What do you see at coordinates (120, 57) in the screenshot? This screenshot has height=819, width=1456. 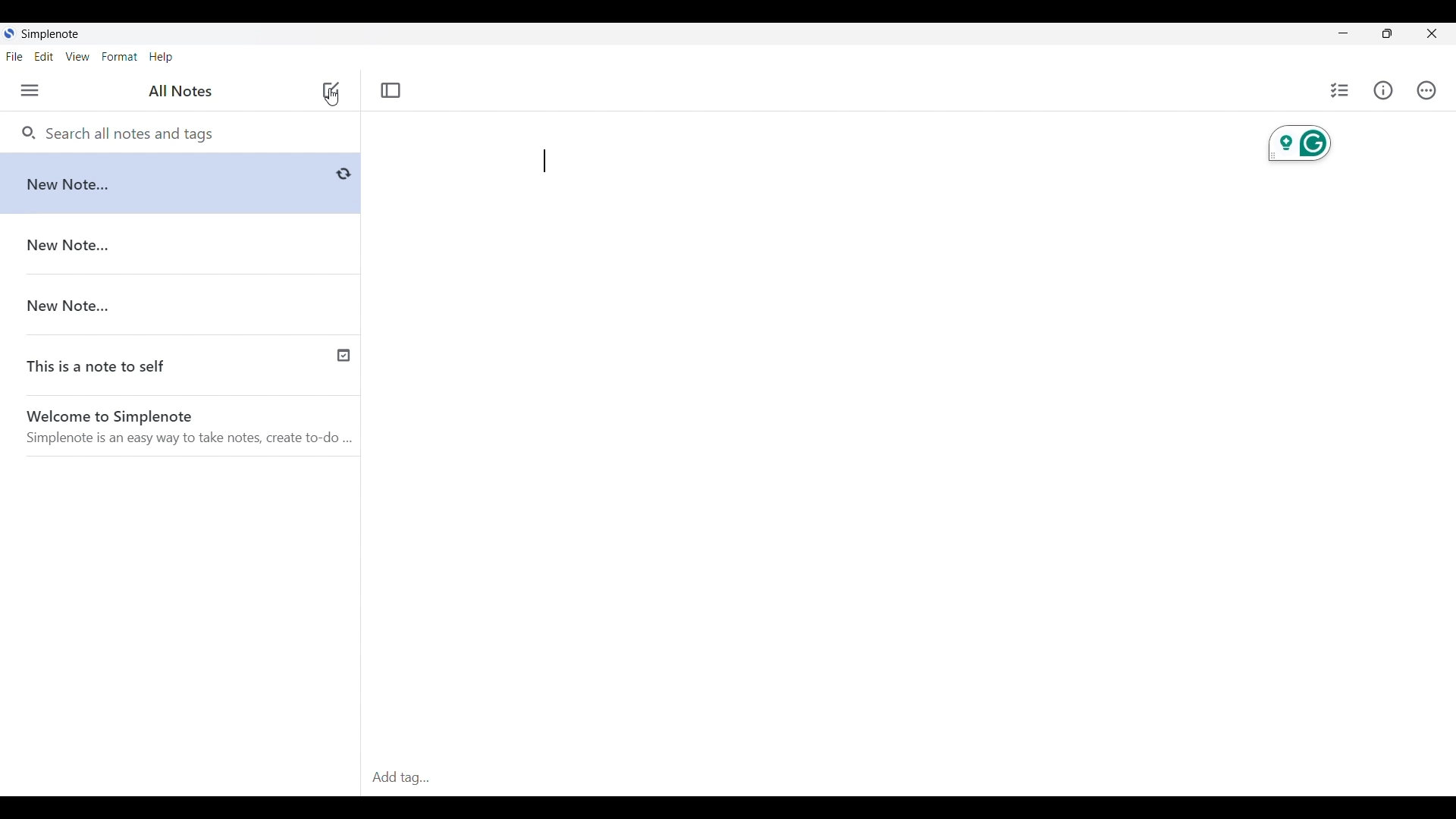 I see `Forma` at bounding box center [120, 57].